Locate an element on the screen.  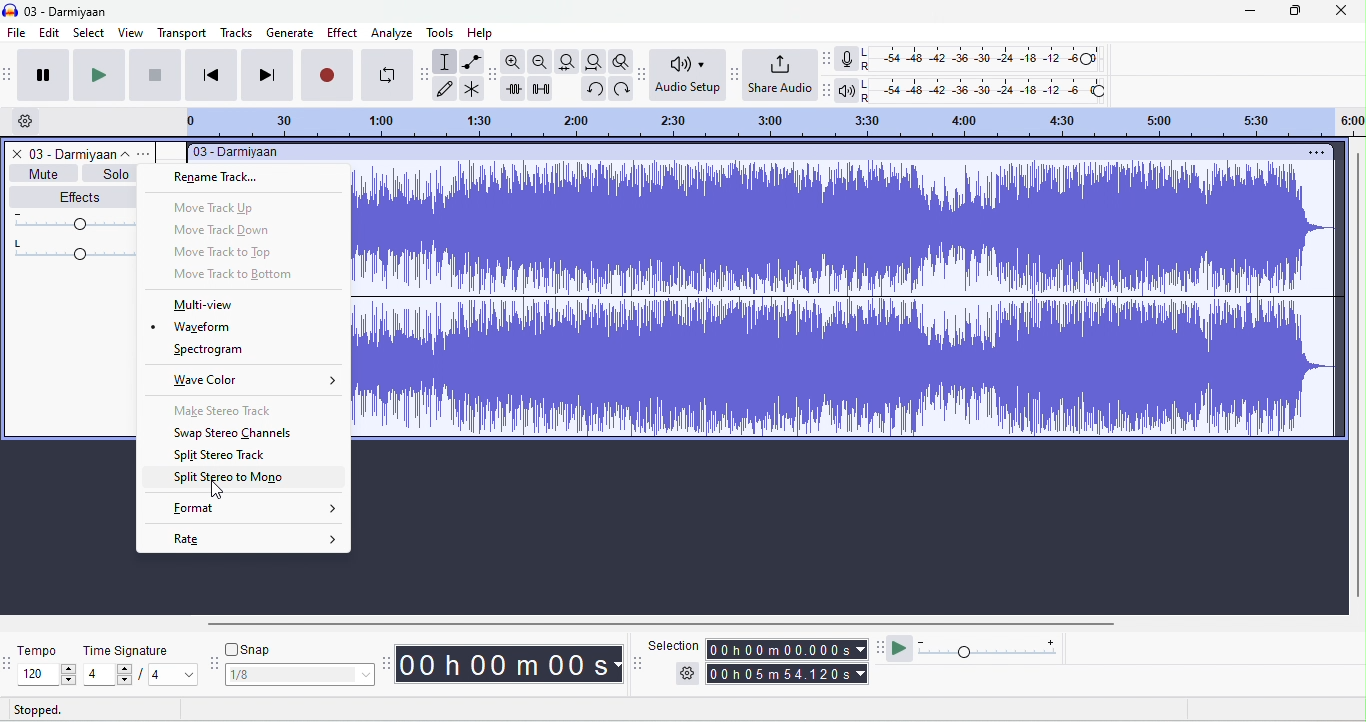
play is located at coordinates (96, 76).